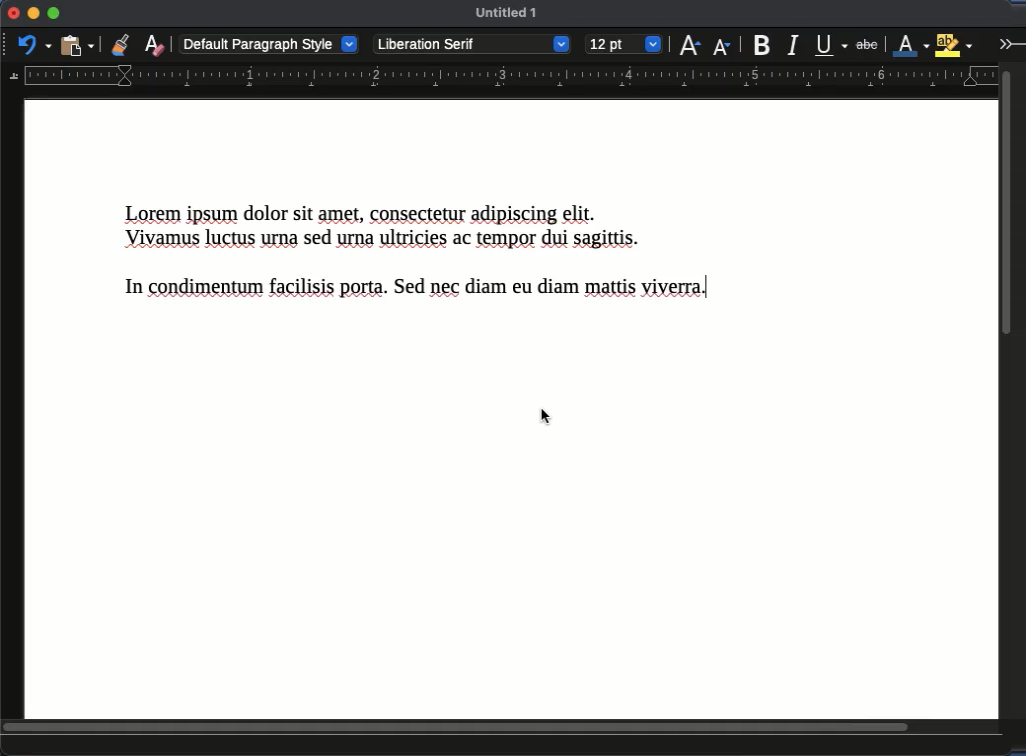 The width and height of the screenshot is (1026, 756). I want to click on 12 pt, so click(624, 45).